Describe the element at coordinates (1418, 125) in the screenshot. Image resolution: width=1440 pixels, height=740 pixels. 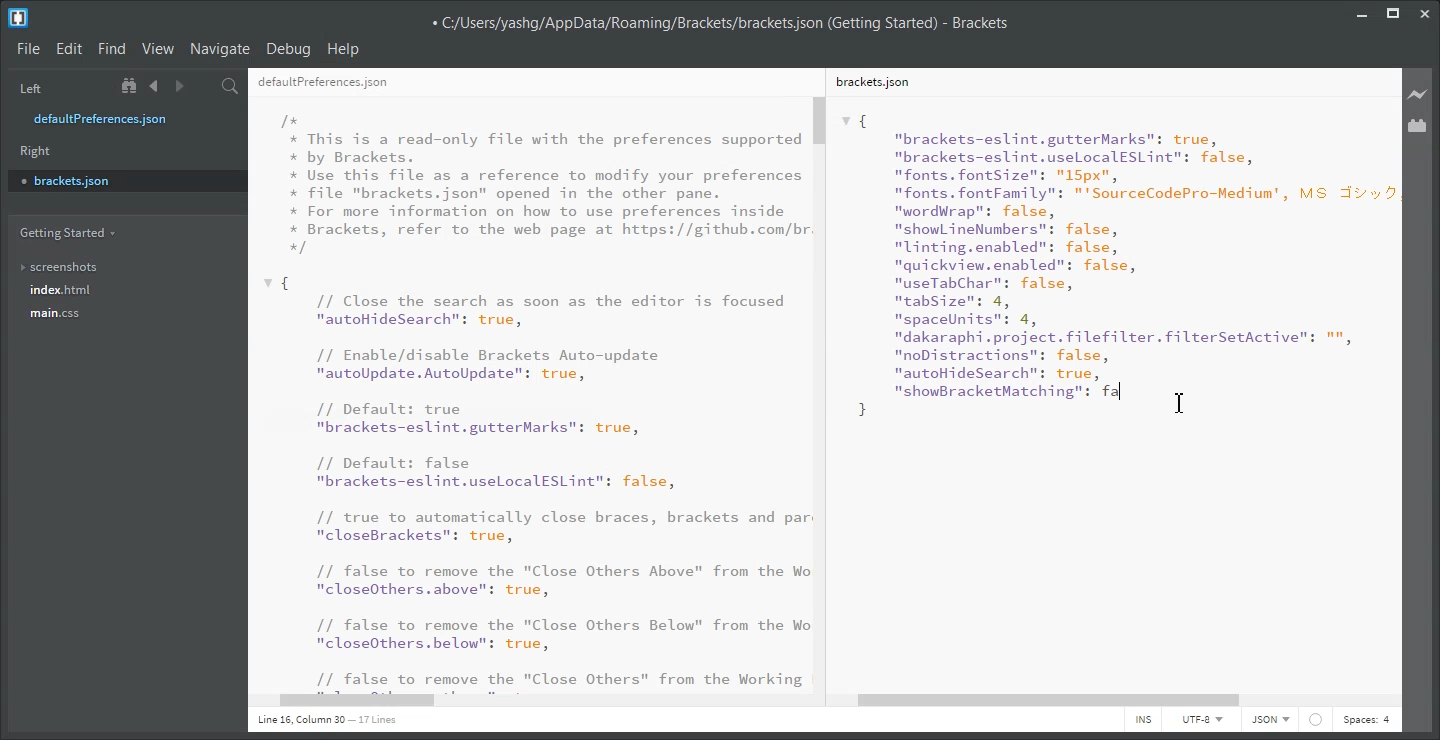
I see `Extension Manager` at that location.